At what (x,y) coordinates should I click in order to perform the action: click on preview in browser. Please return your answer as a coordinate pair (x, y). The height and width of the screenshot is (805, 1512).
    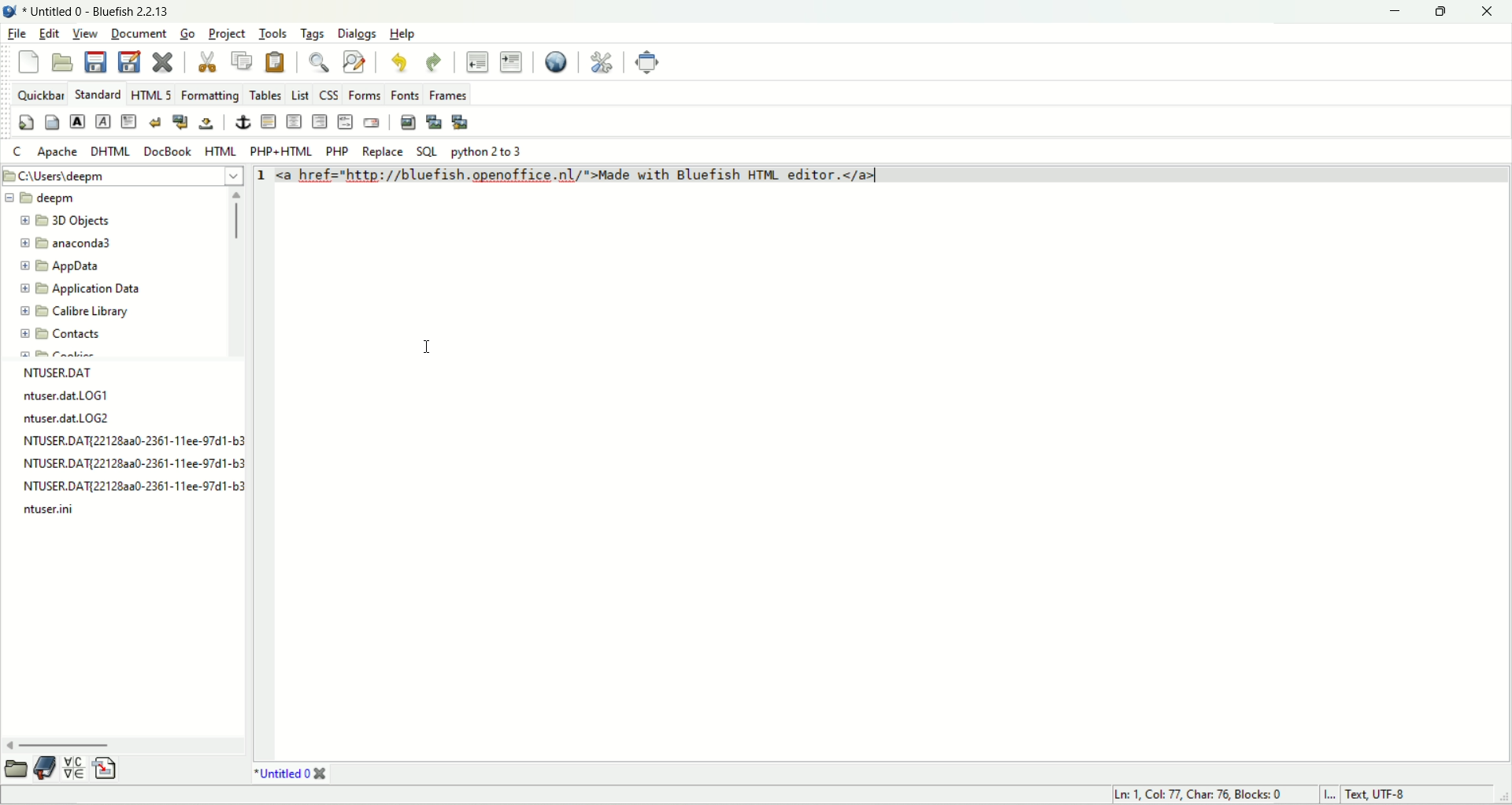
    Looking at the image, I should click on (558, 63).